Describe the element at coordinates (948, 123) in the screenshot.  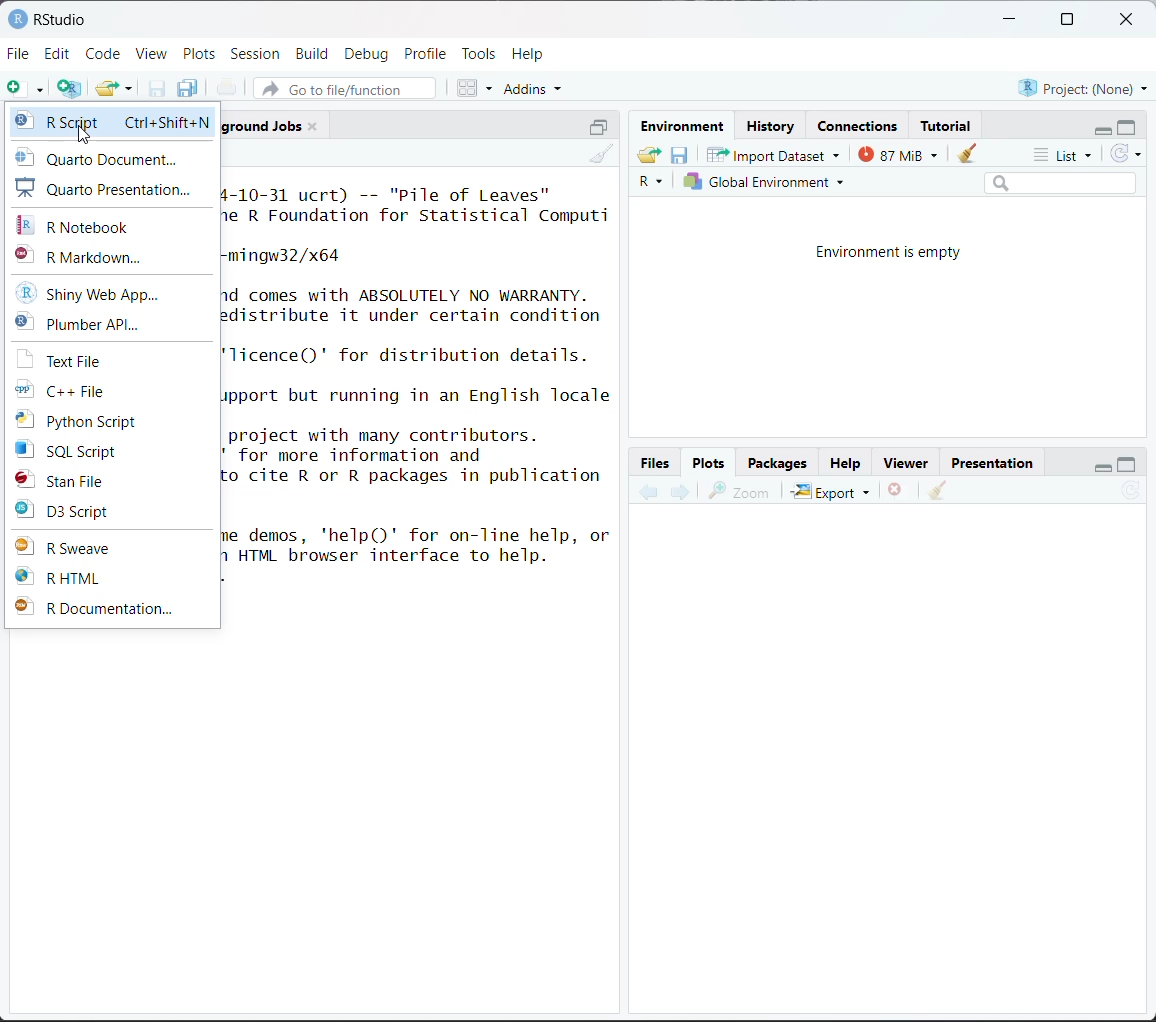
I see `Tutorial` at that location.